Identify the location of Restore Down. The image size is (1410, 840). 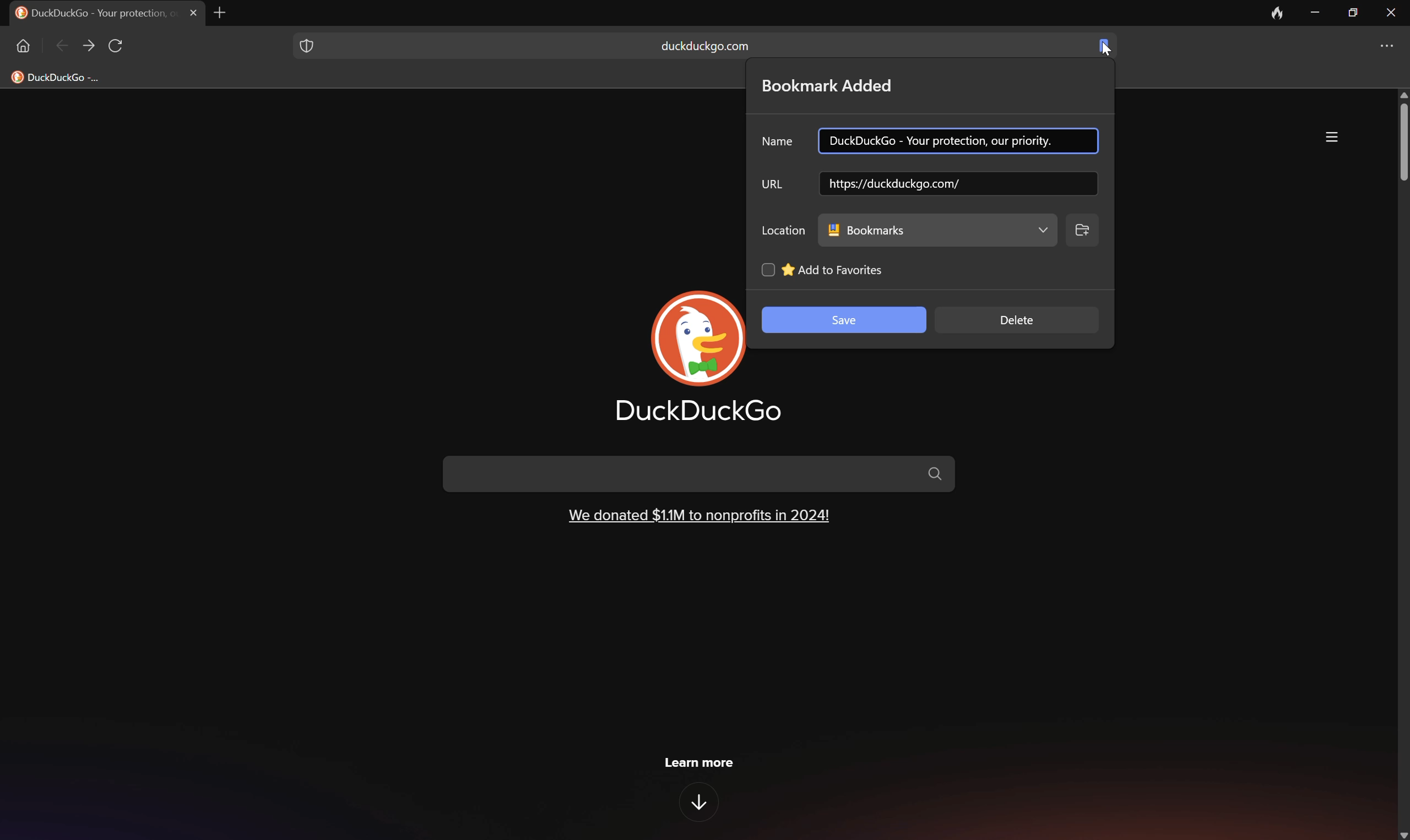
(1354, 10).